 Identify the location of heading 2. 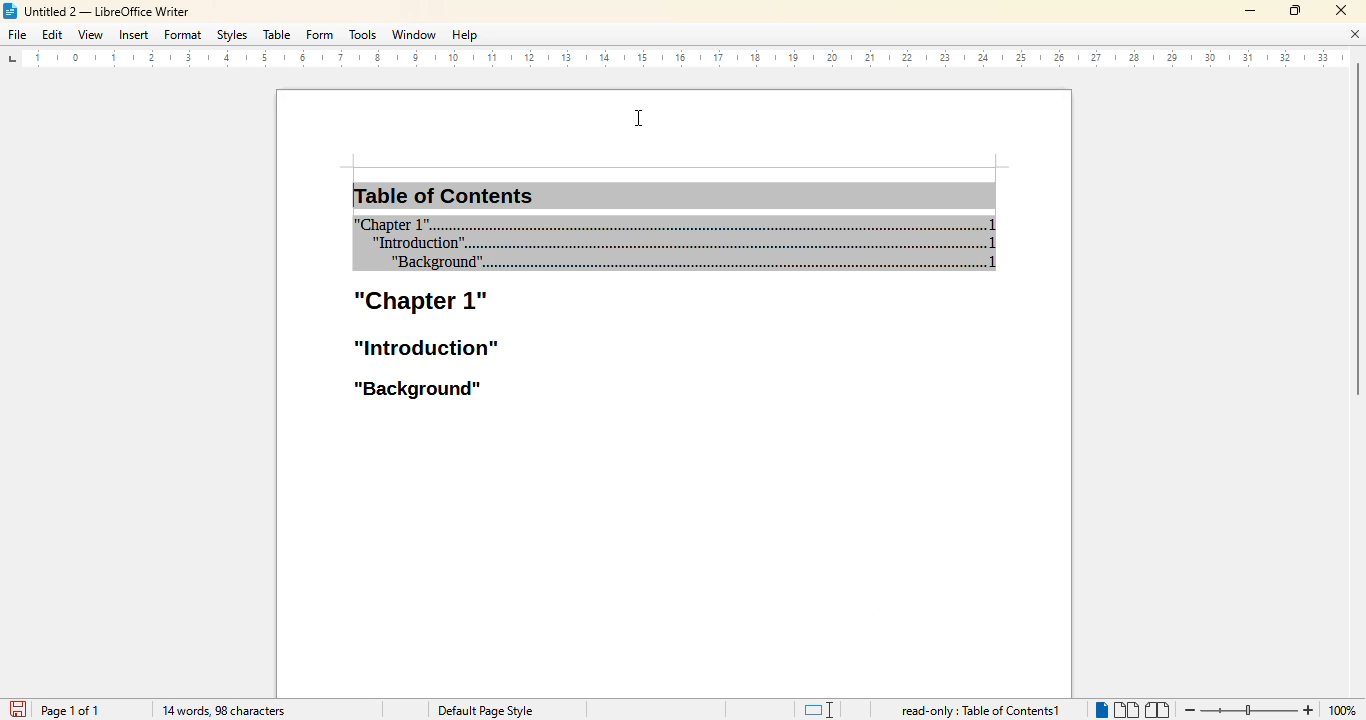
(423, 347).